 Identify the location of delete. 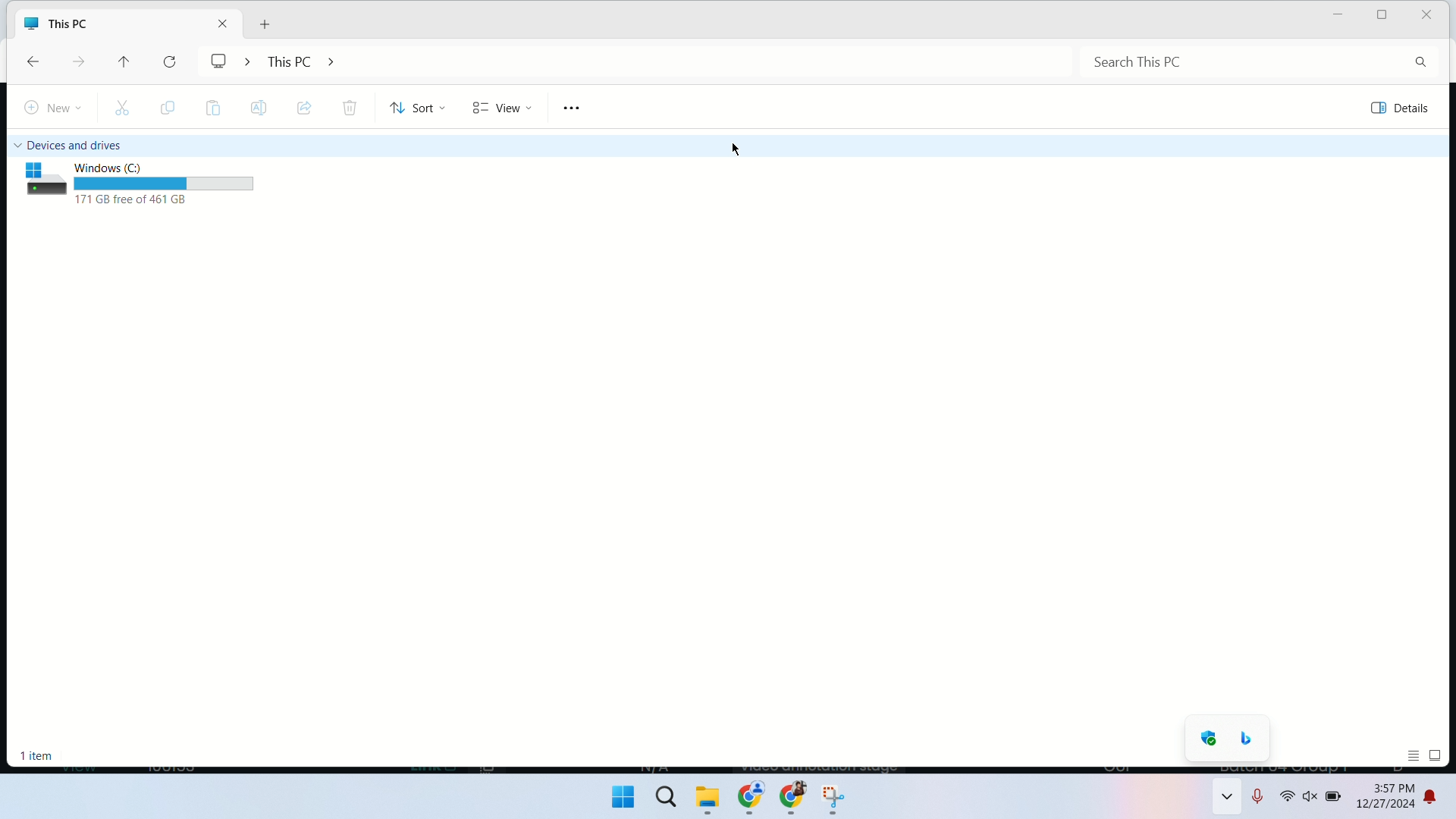
(353, 110).